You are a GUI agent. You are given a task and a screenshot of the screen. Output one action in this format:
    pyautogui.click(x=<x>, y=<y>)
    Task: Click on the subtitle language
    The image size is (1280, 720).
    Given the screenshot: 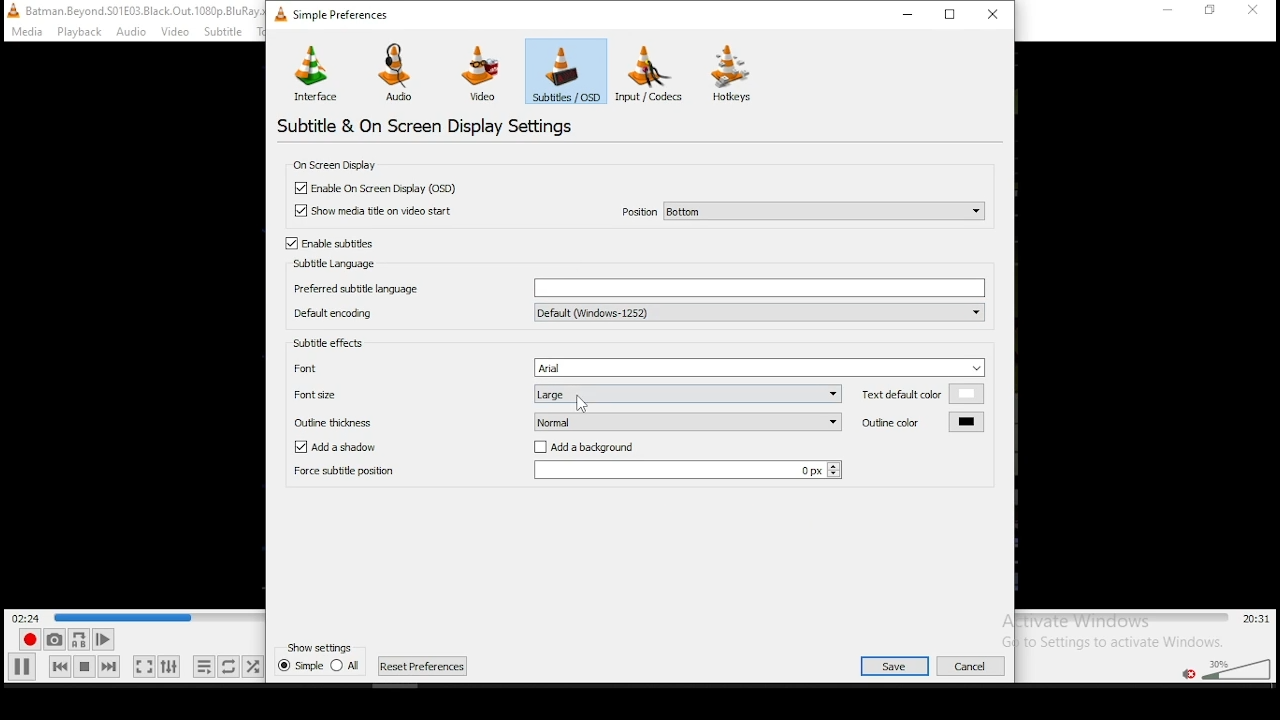 What is the action you would take?
    pyautogui.click(x=336, y=264)
    